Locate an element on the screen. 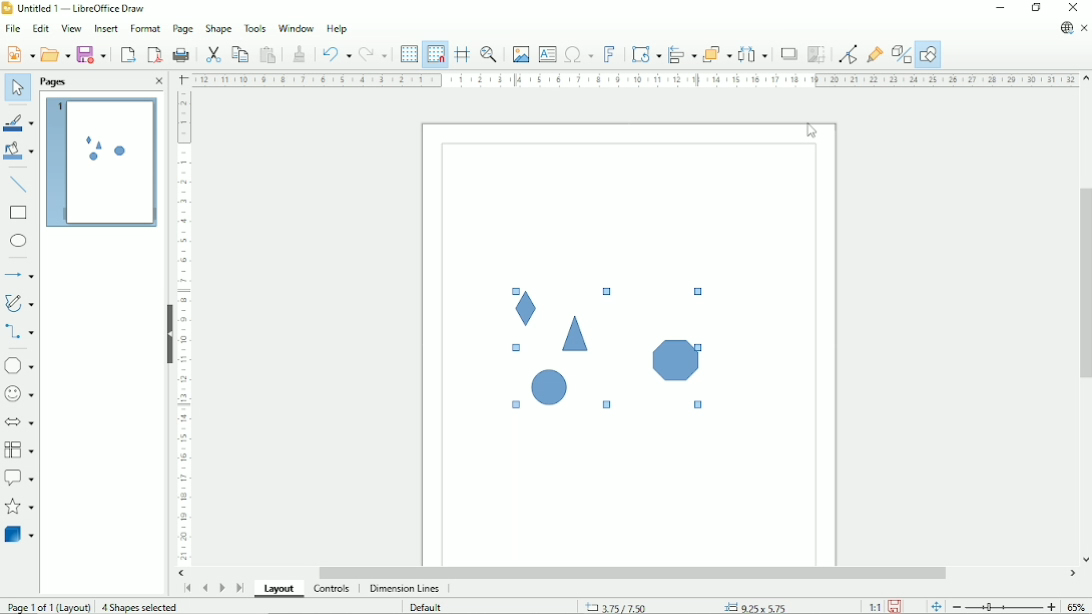 The width and height of the screenshot is (1092, 614). dimension lines is located at coordinates (404, 589).